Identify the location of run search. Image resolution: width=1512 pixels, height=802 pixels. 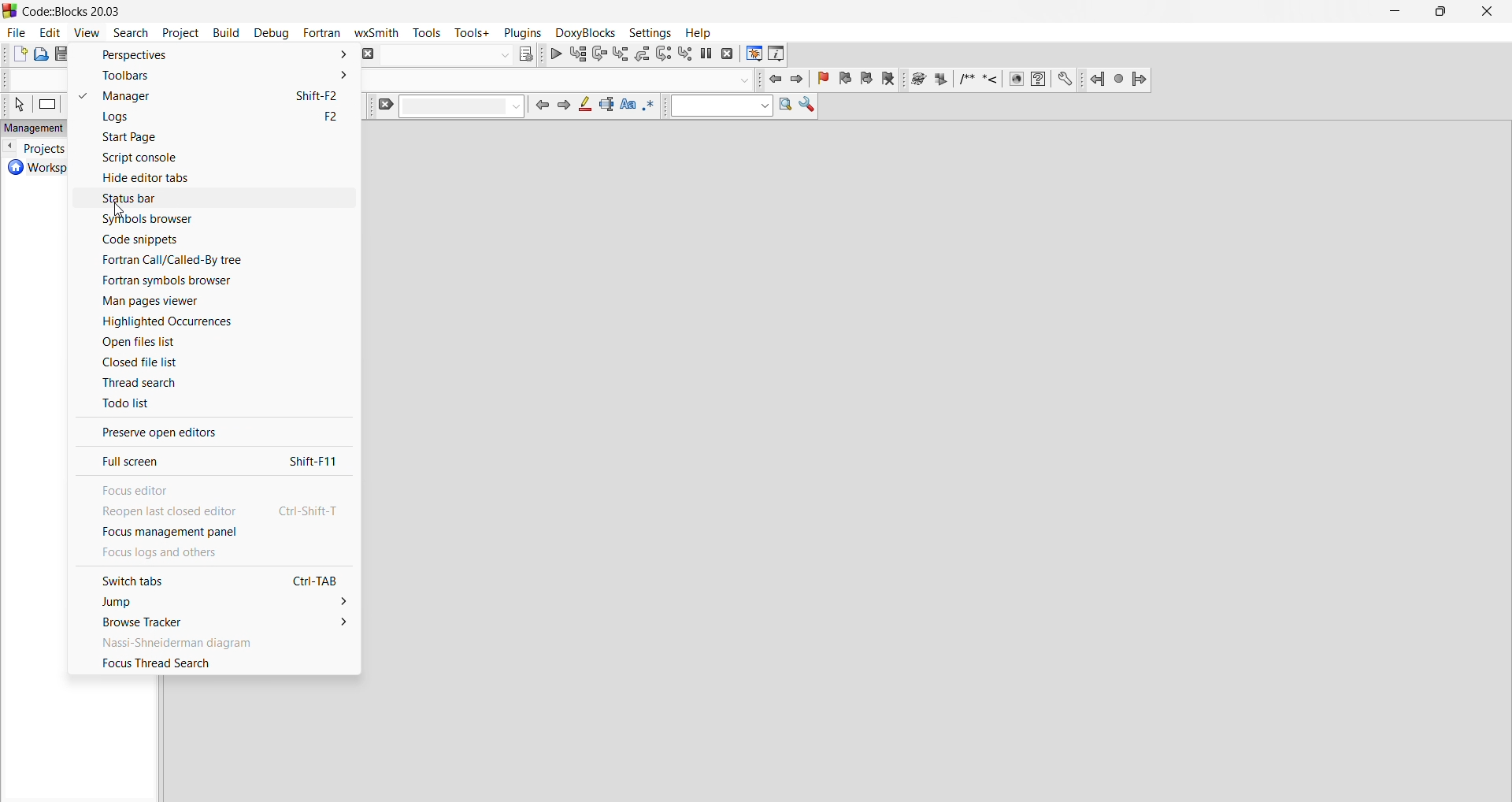
(787, 106).